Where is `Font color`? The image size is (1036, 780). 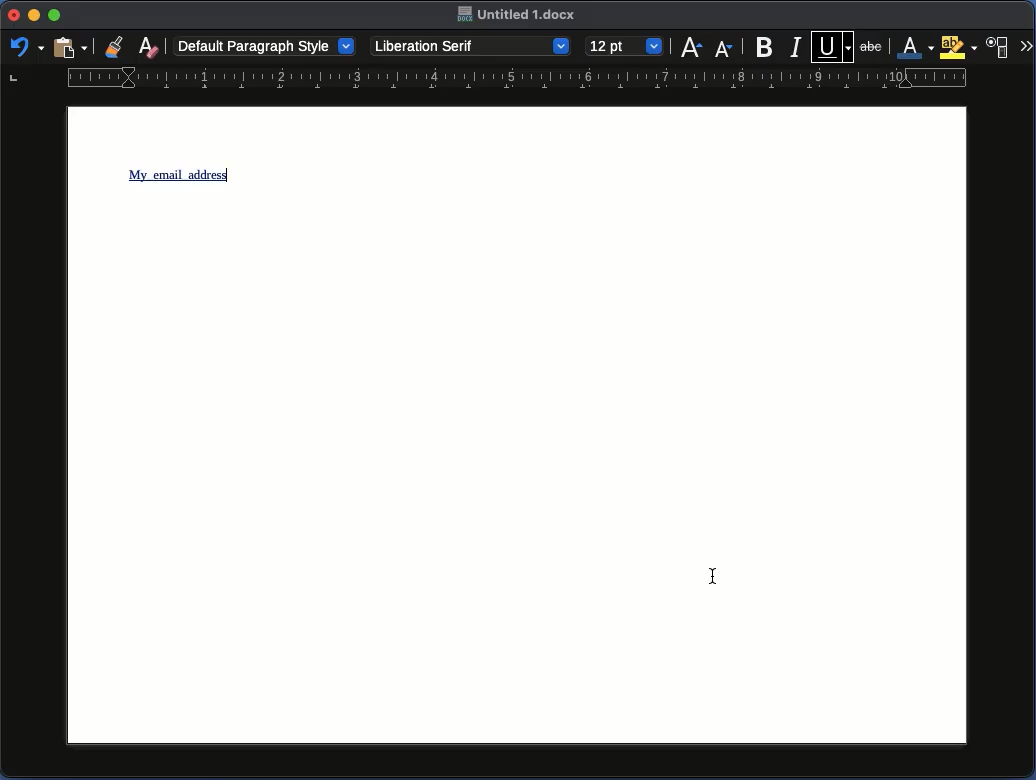
Font color is located at coordinates (912, 47).